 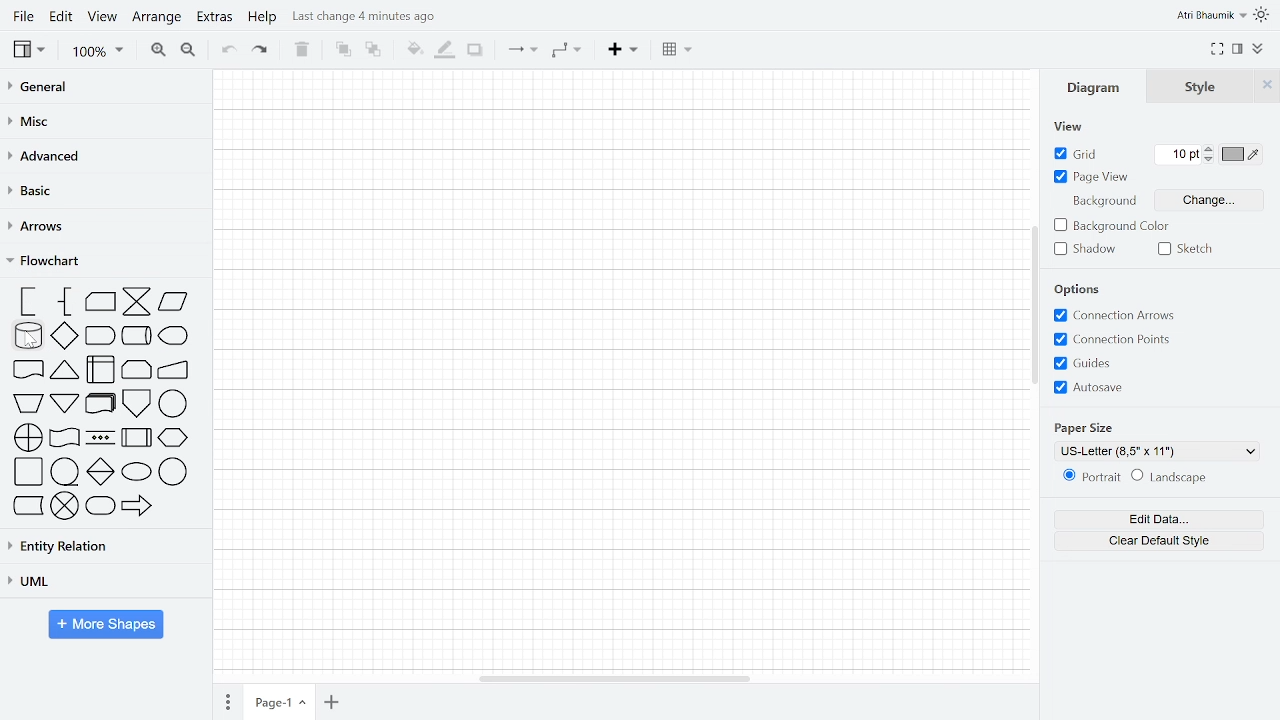 What do you see at coordinates (103, 19) in the screenshot?
I see `View` at bounding box center [103, 19].